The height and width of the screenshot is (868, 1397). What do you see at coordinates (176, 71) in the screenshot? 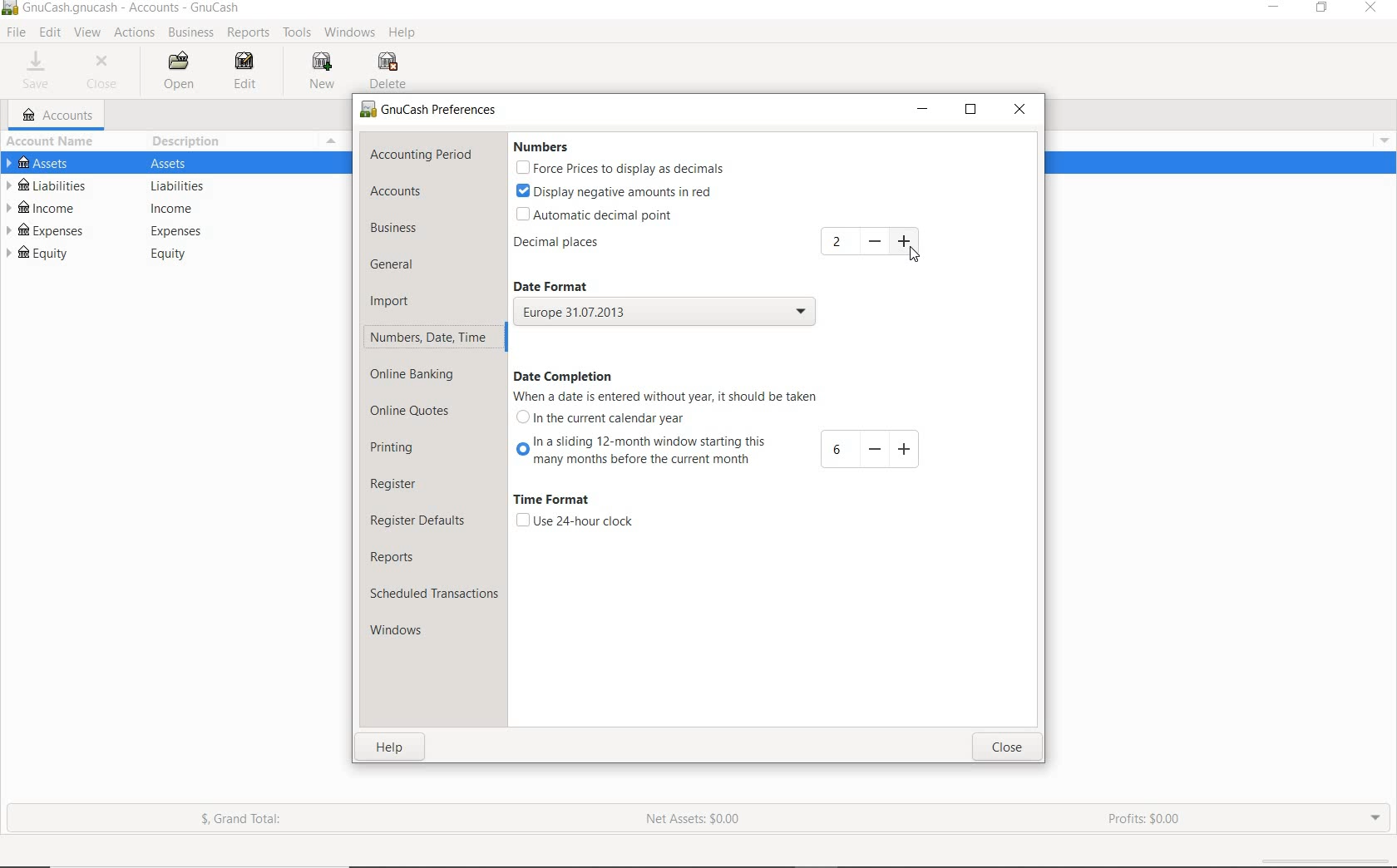
I see `OPEN` at bounding box center [176, 71].